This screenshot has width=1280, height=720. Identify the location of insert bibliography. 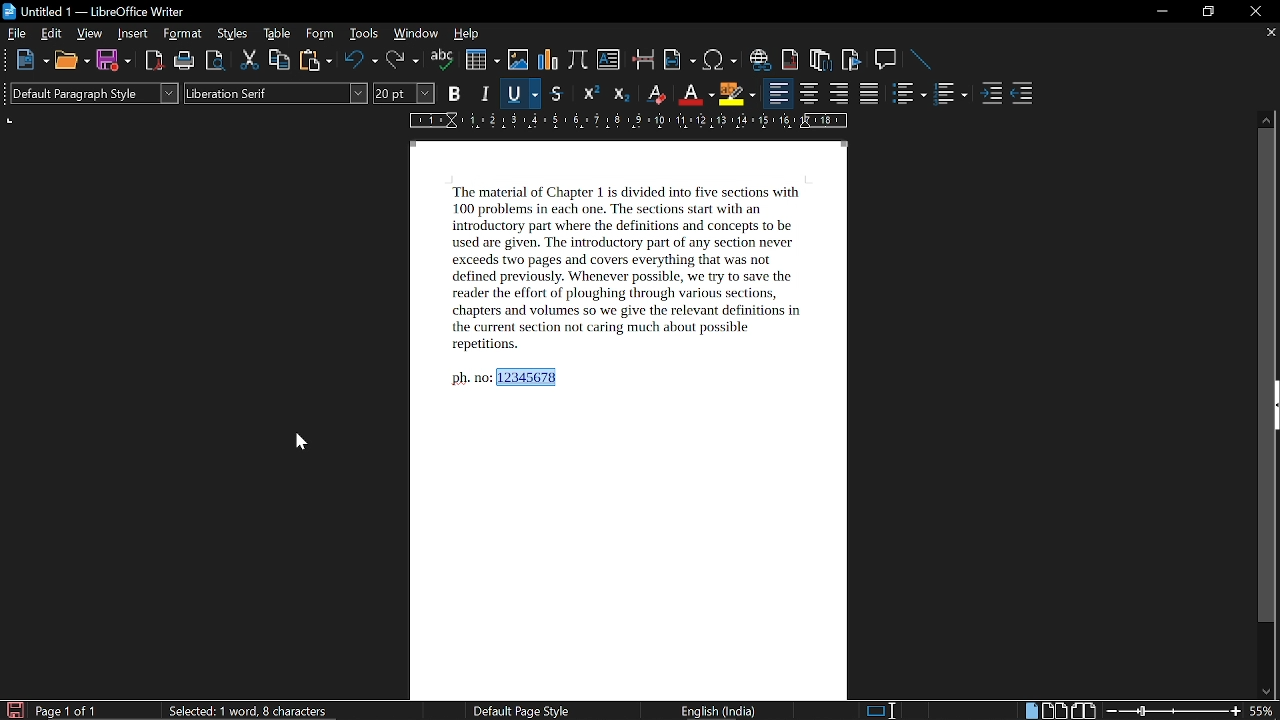
(850, 61).